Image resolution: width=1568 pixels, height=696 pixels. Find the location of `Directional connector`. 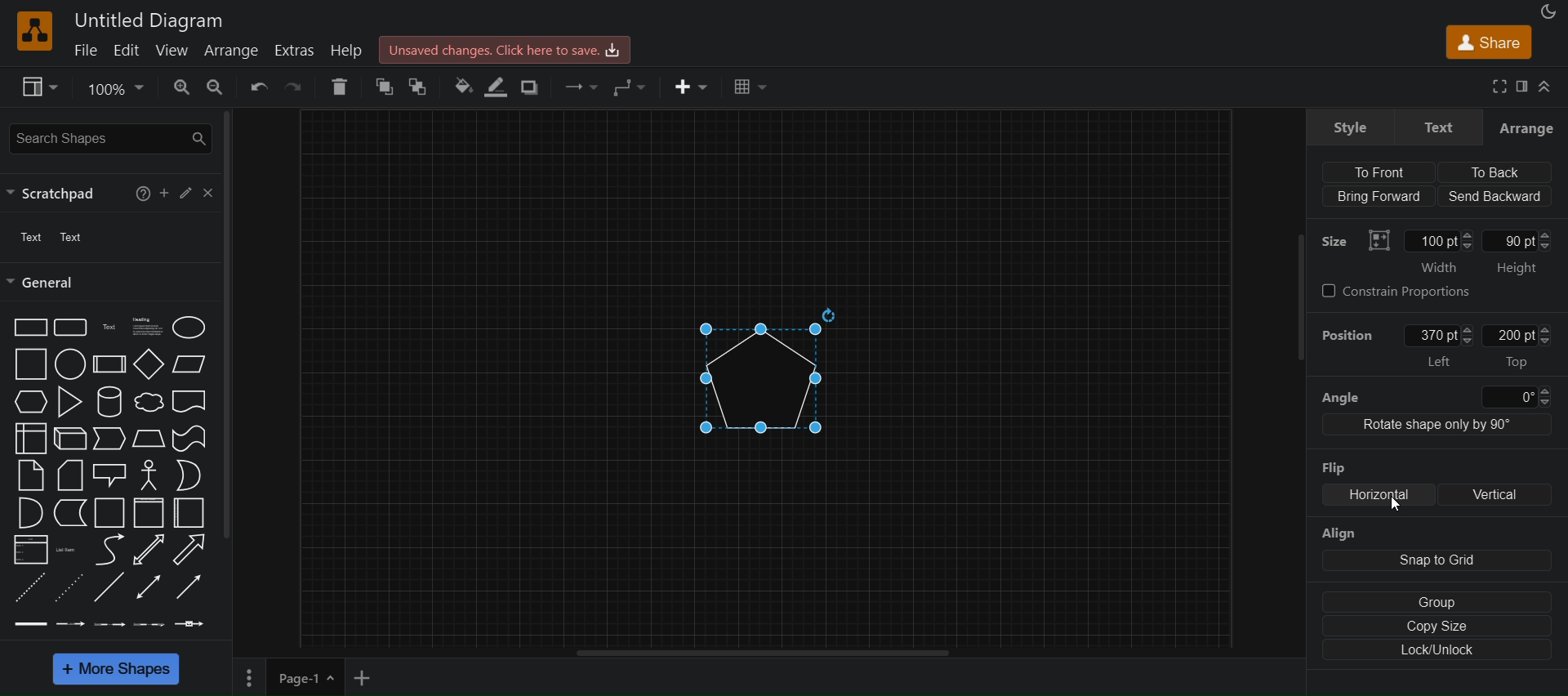

Directional connector is located at coordinates (189, 587).